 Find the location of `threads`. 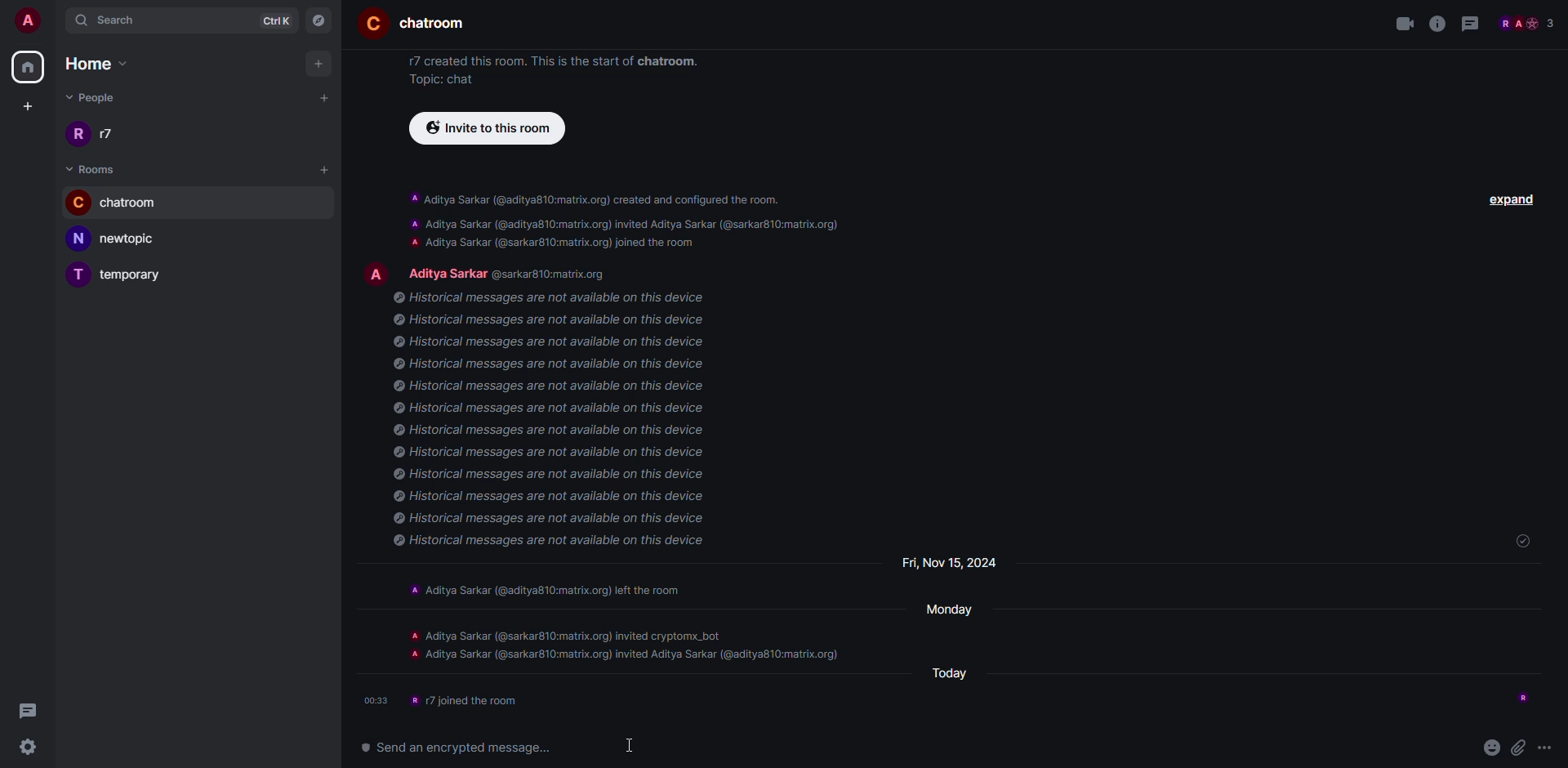

threads is located at coordinates (27, 710).